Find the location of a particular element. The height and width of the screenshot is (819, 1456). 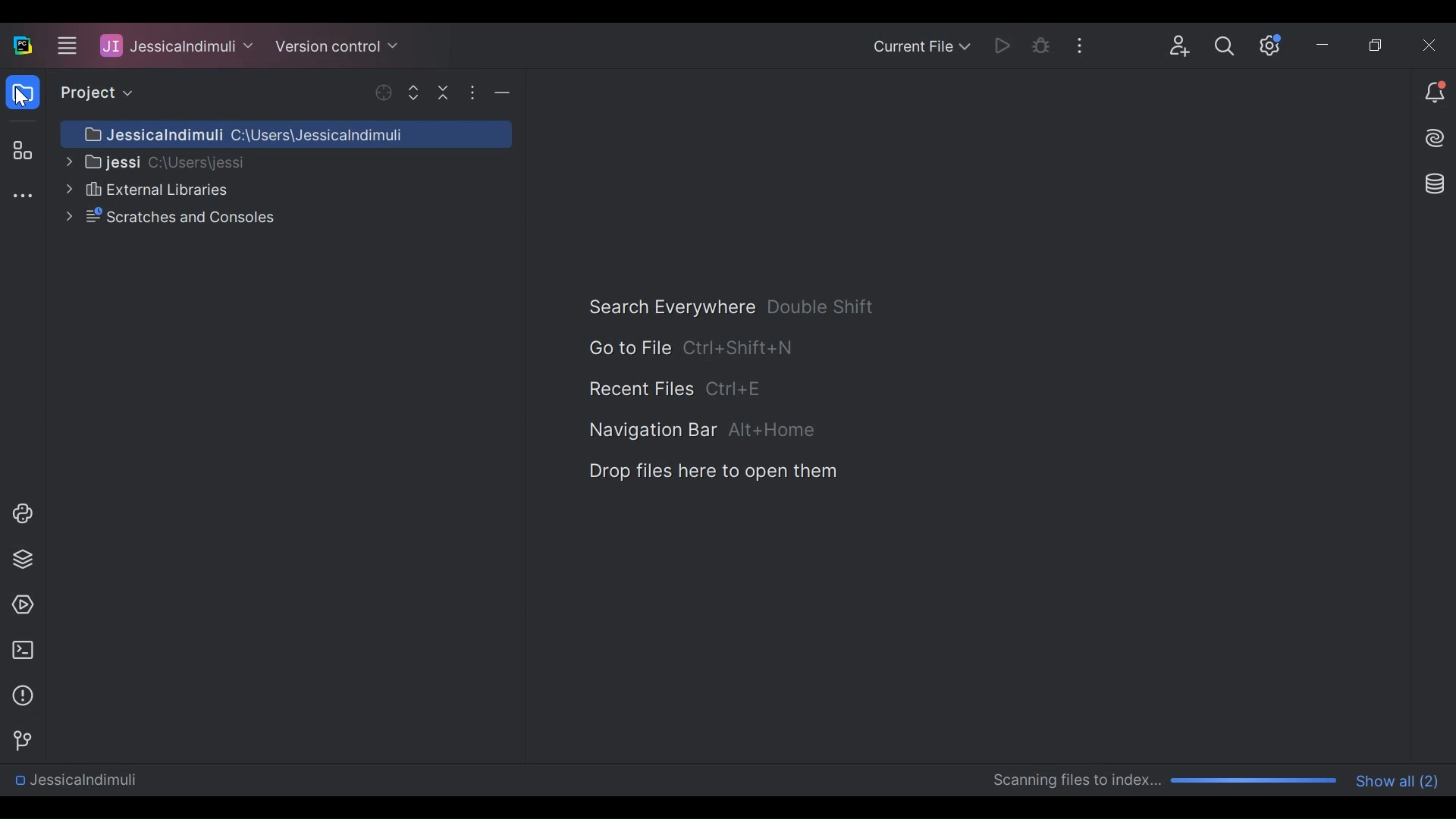

Restore is located at coordinates (1378, 45).